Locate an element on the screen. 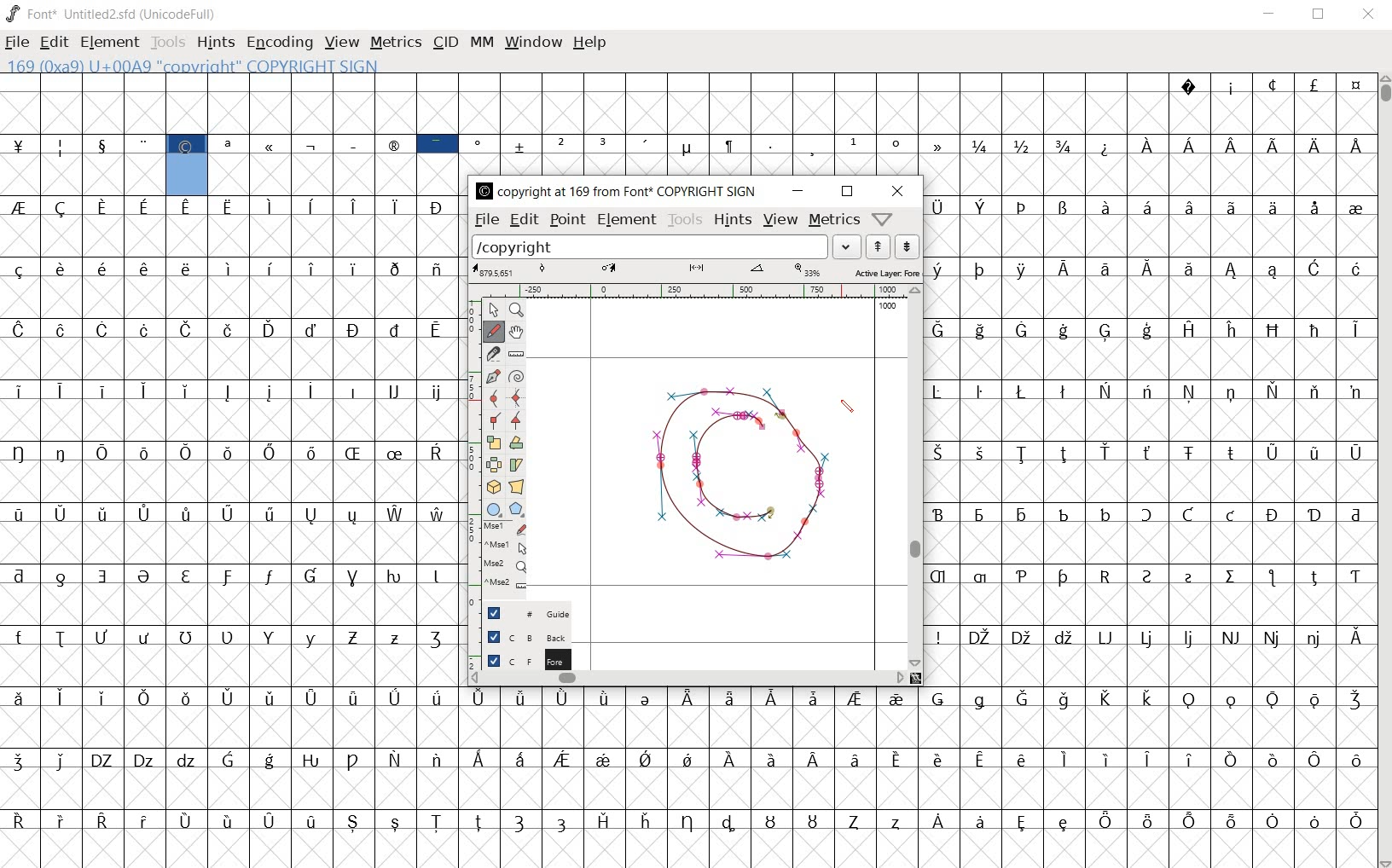 Image resolution: width=1392 pixels, height=868 pixels. COPYRIGHT AT 169 FROM FONT COPYRIGHT SIGN is located at coordinates (612, 192).